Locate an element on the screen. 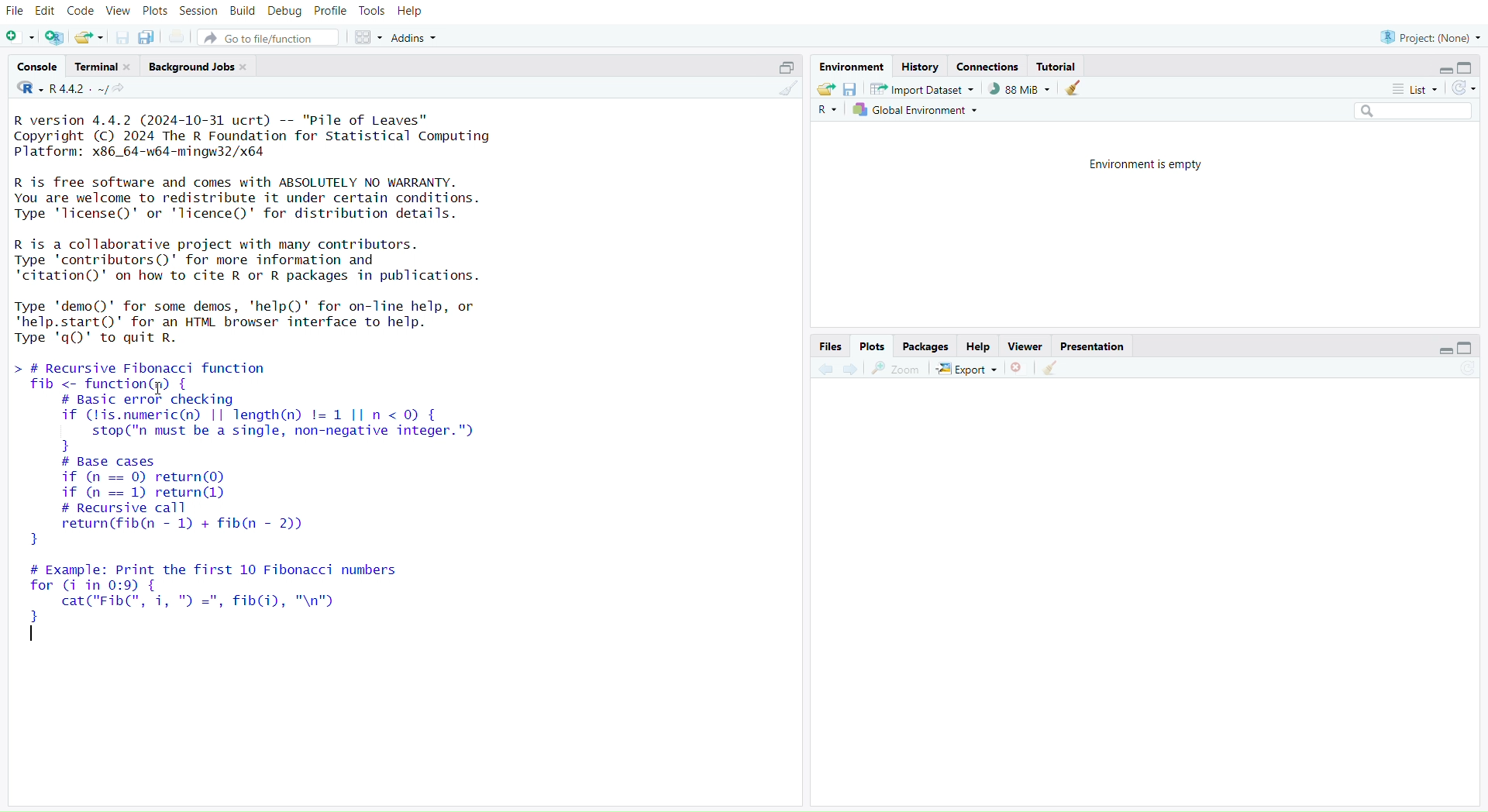 This screenshot has height=812, width=1488. expand is located at coordinates (1444, 71).